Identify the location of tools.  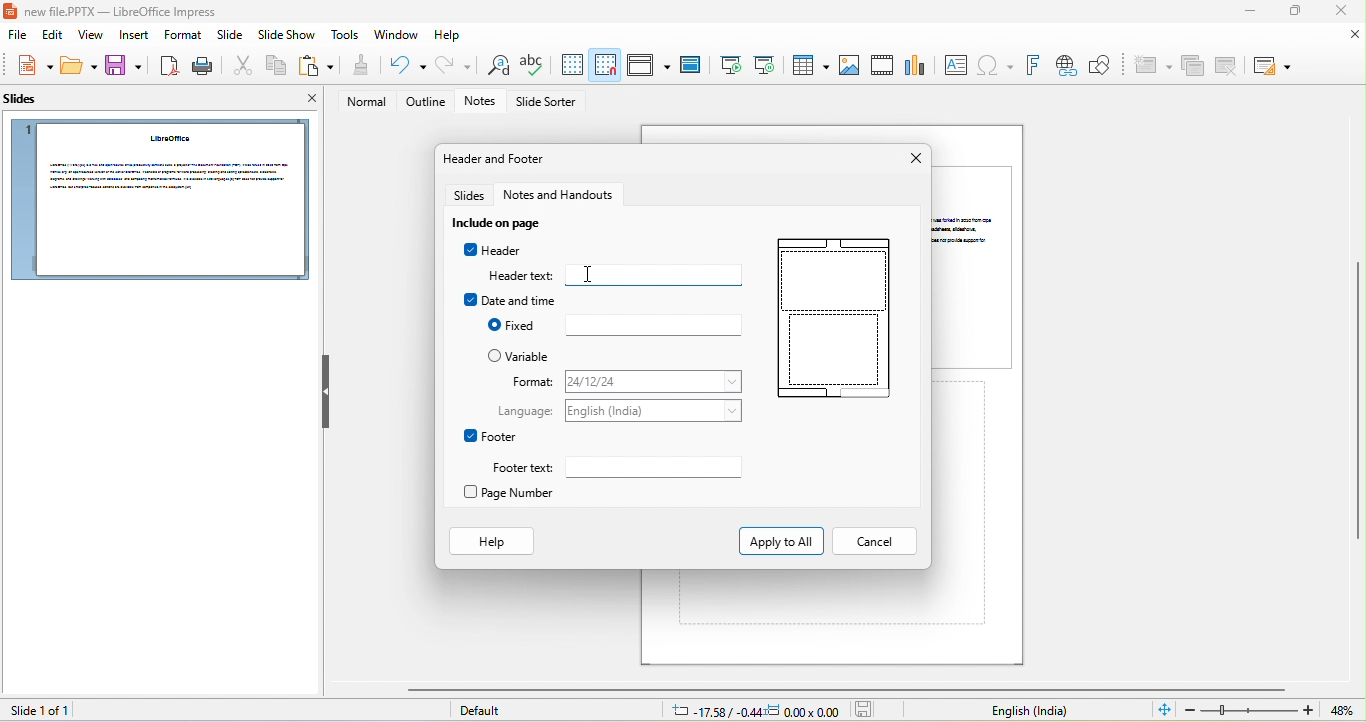
(347, 36).